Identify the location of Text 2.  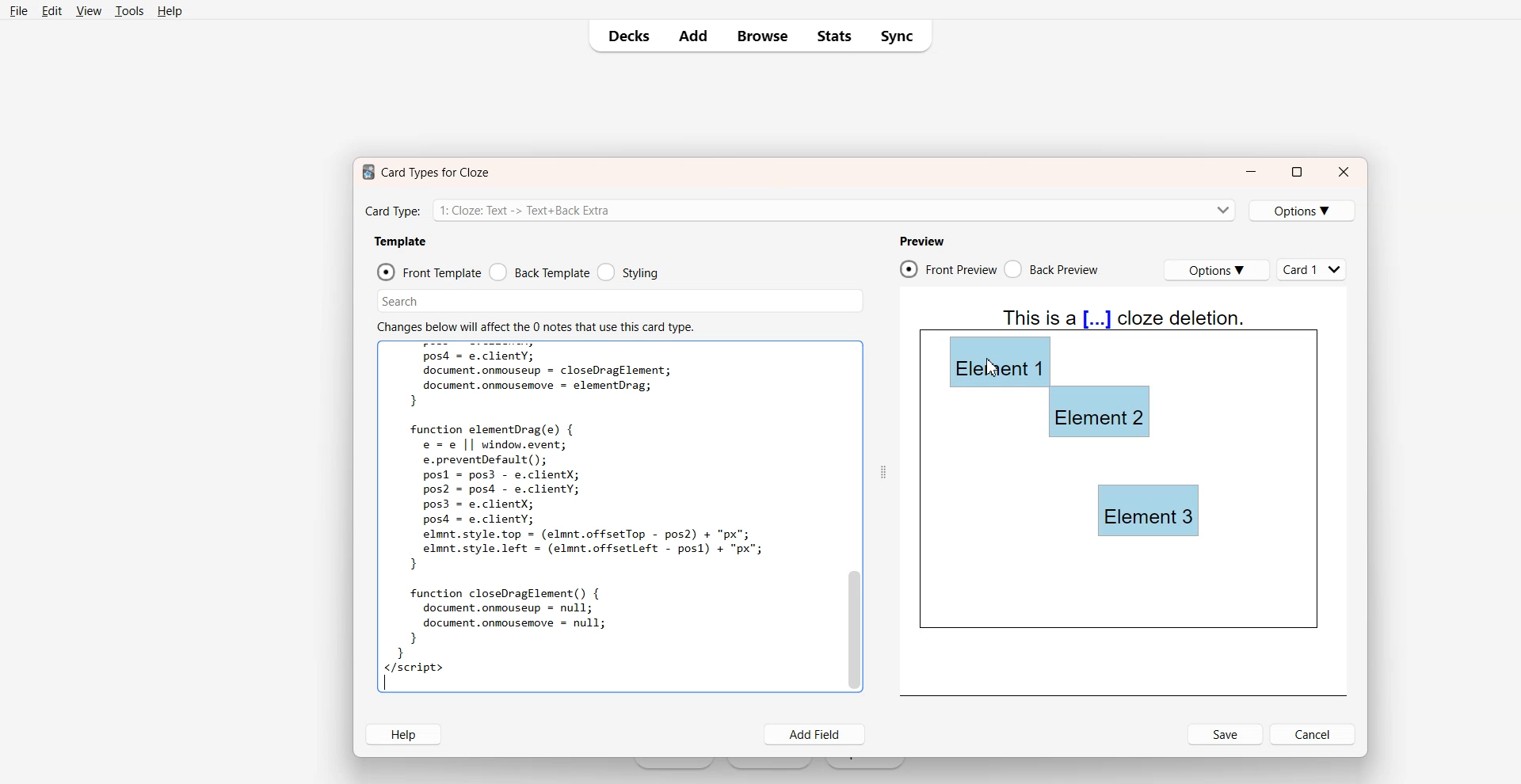
(535, 325).